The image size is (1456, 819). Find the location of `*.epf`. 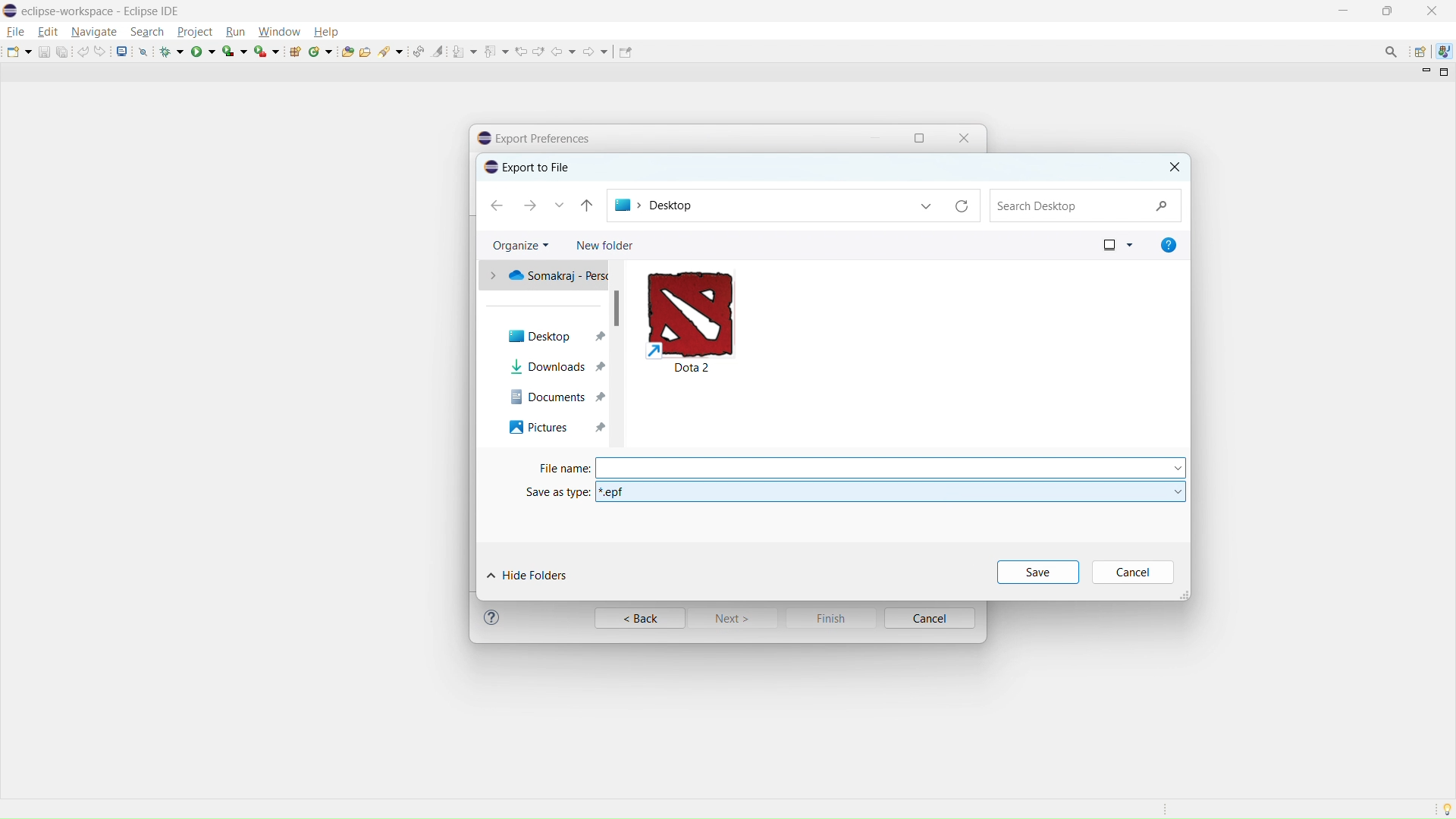

*.epf is located at coordinates (892, 489).